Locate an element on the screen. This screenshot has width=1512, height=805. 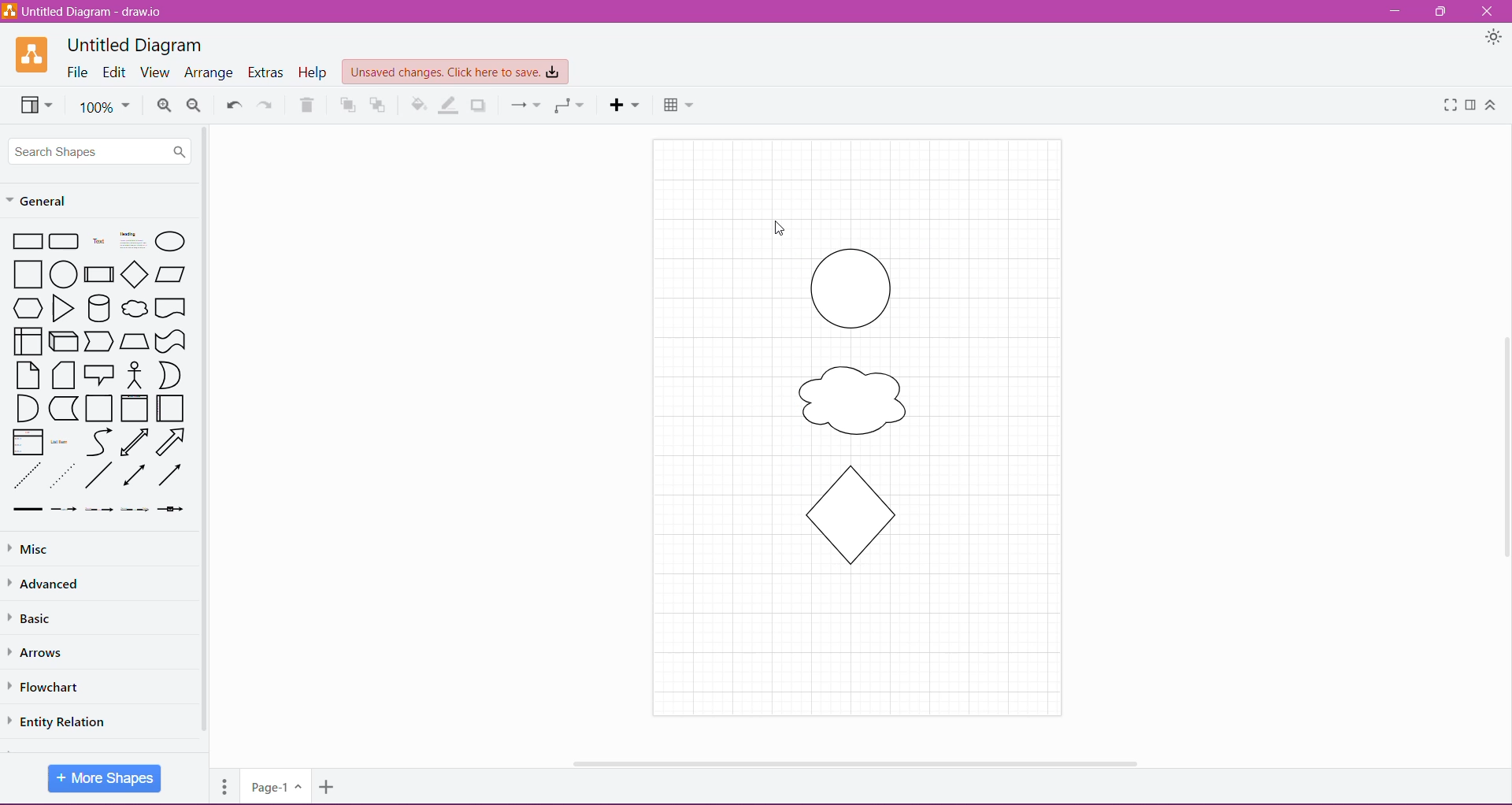
File is located at coordinates (78, 72).